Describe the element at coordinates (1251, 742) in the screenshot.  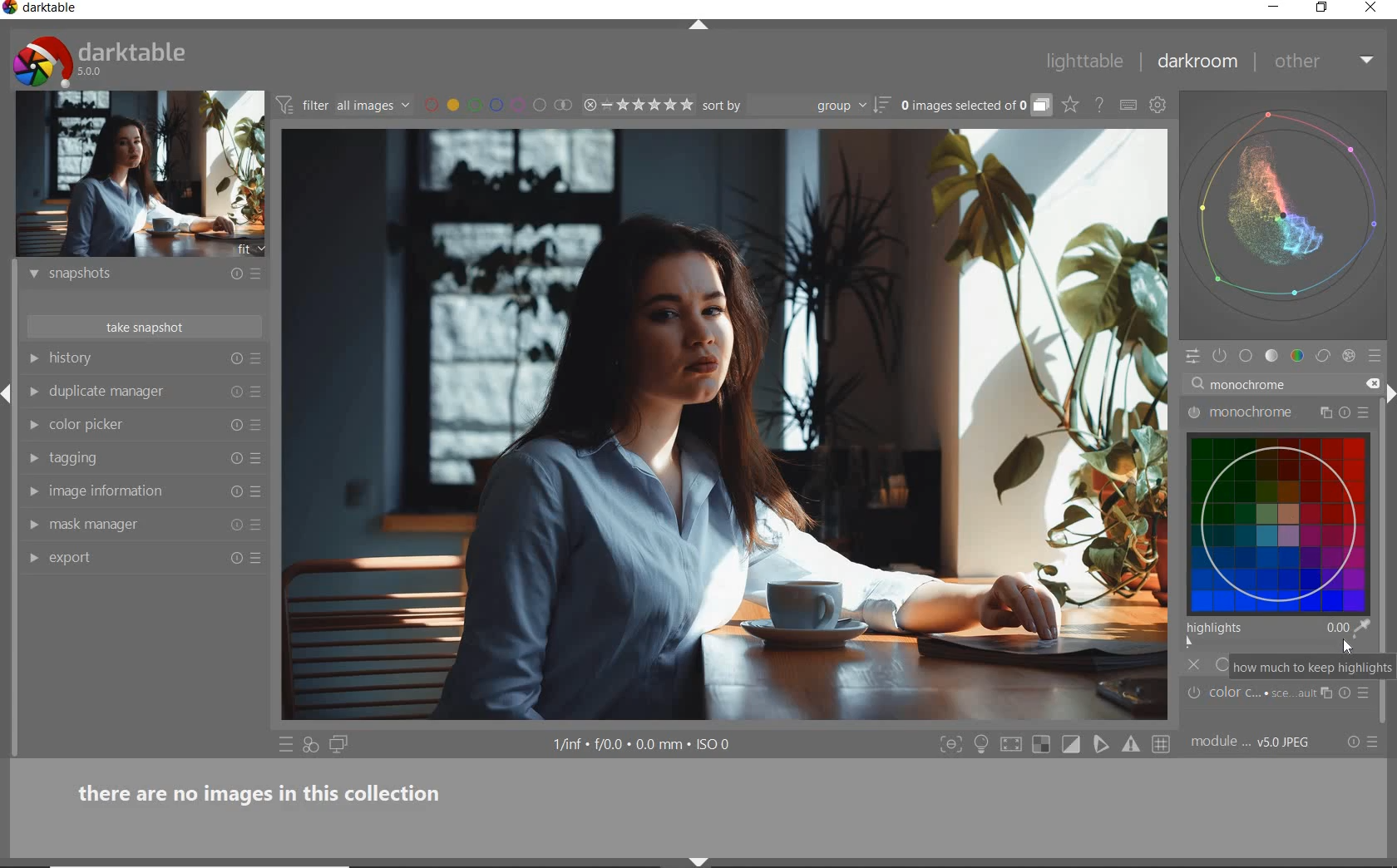
I see `module...V5.0 JPEG` at that location.